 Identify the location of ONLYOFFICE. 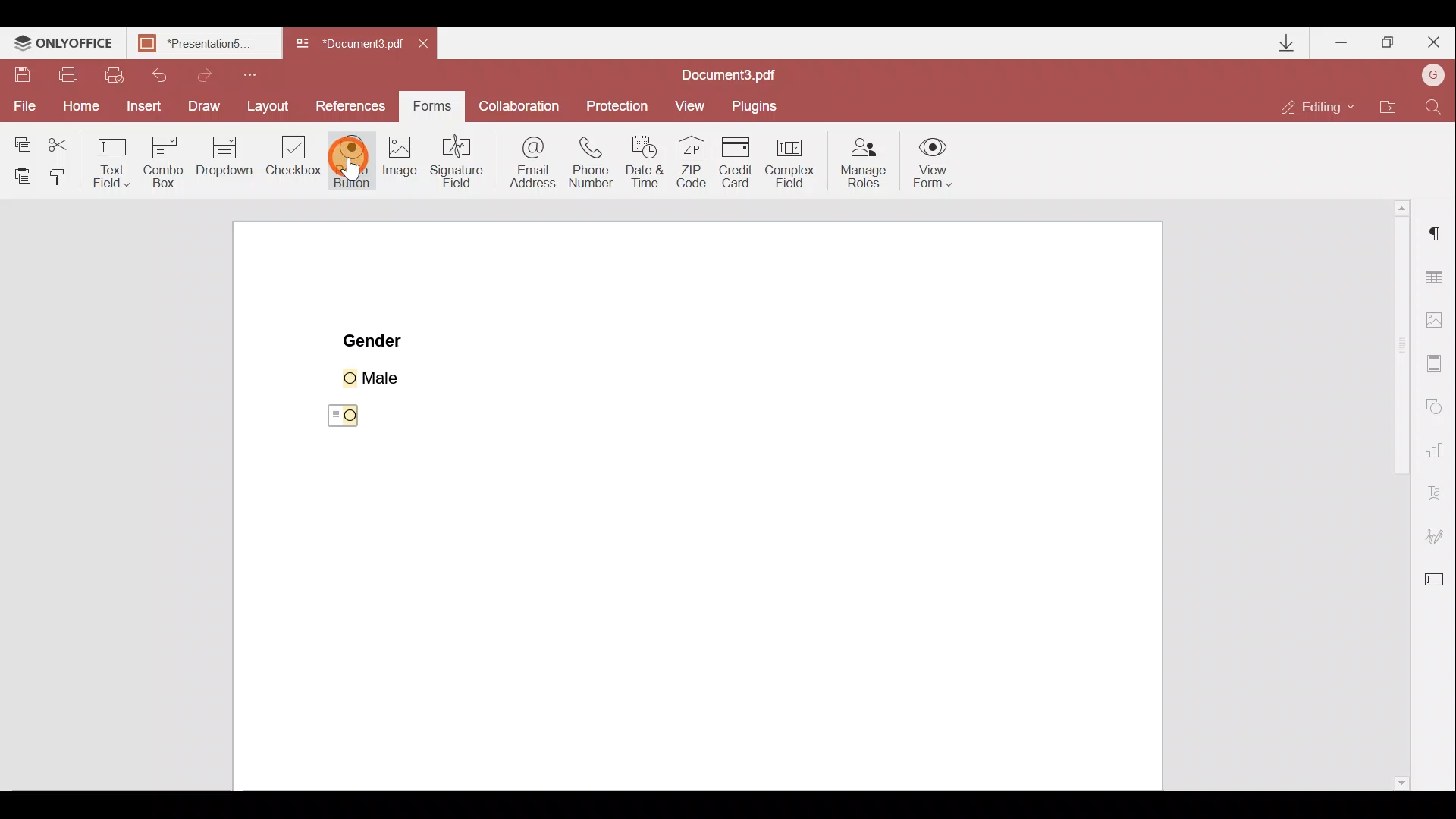
(63, 45).